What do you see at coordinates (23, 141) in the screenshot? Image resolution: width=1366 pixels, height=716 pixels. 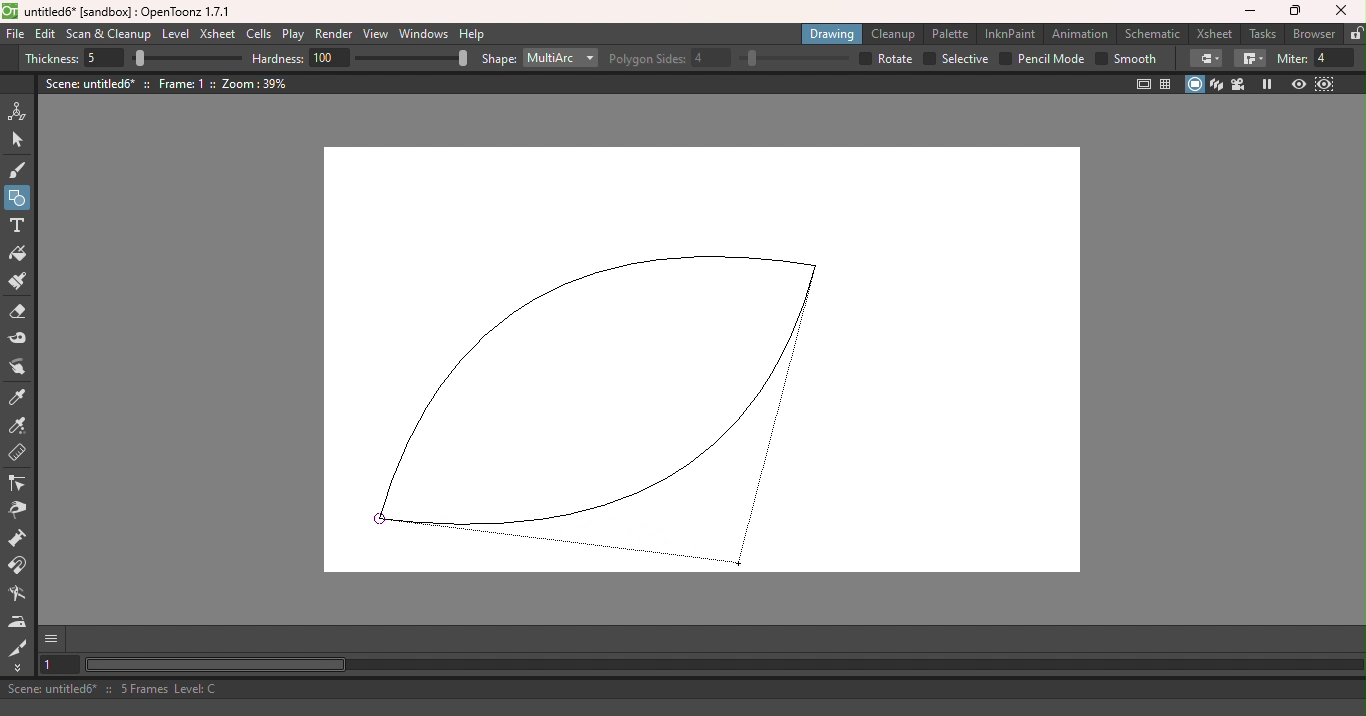 I see `Selection tool` at bounding box center [23, 141].